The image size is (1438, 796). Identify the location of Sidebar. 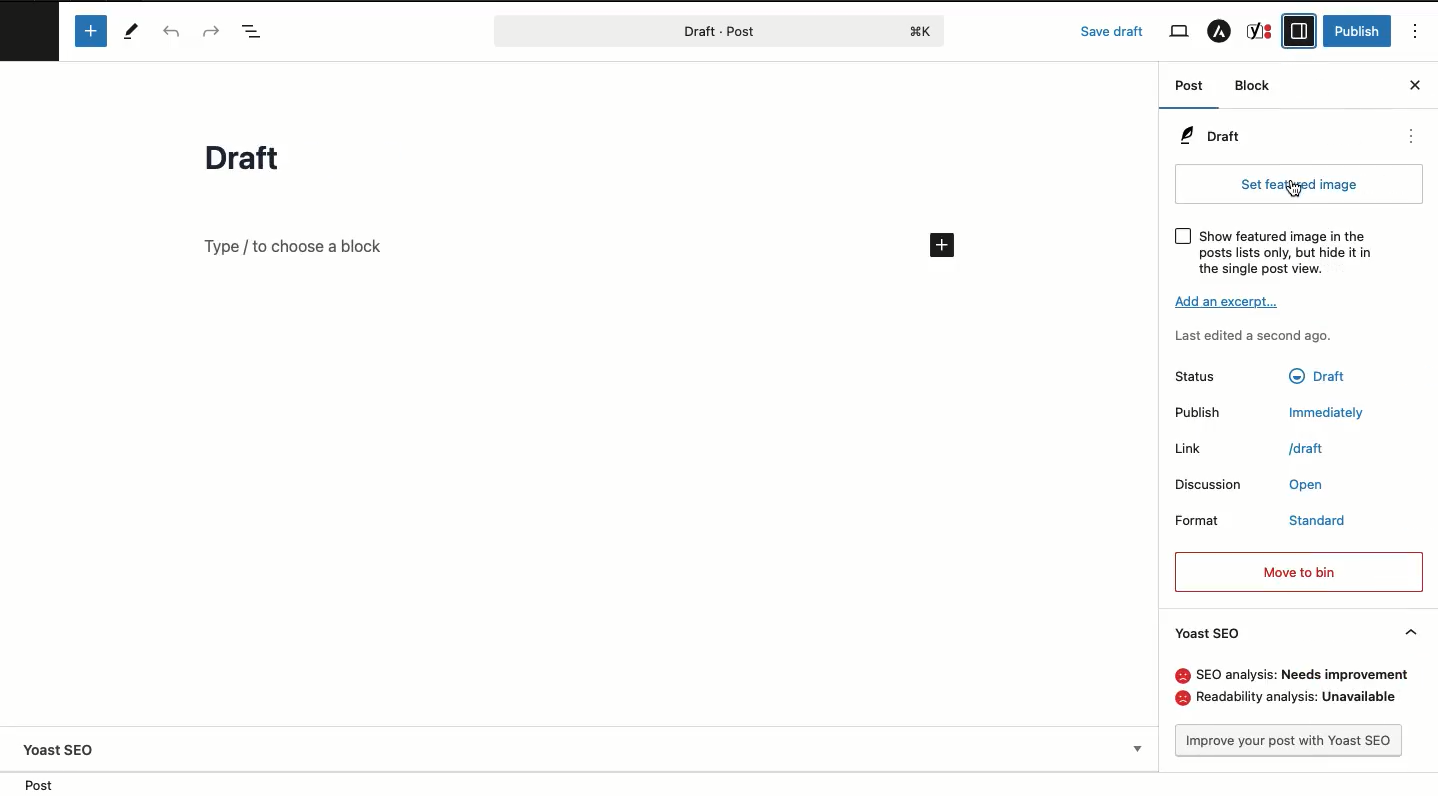
(1300, 29).